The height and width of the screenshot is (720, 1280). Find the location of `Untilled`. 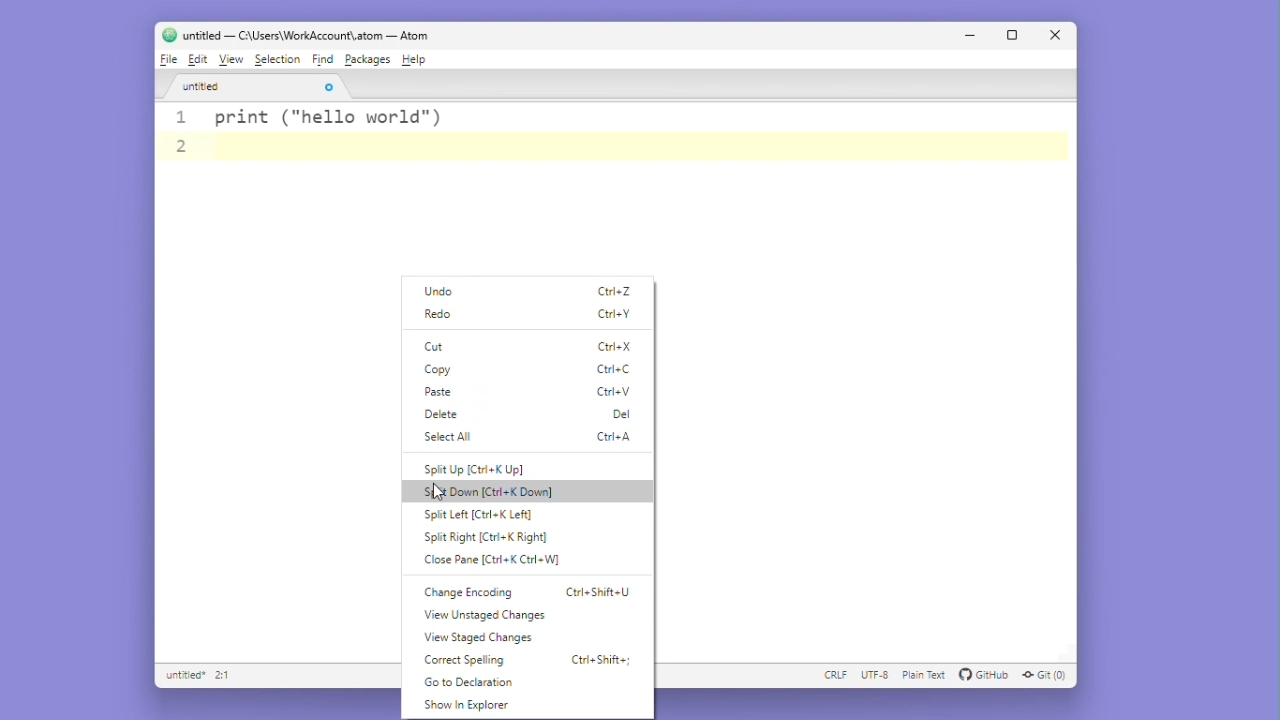

Untilled is located at coordinates (183, 677).